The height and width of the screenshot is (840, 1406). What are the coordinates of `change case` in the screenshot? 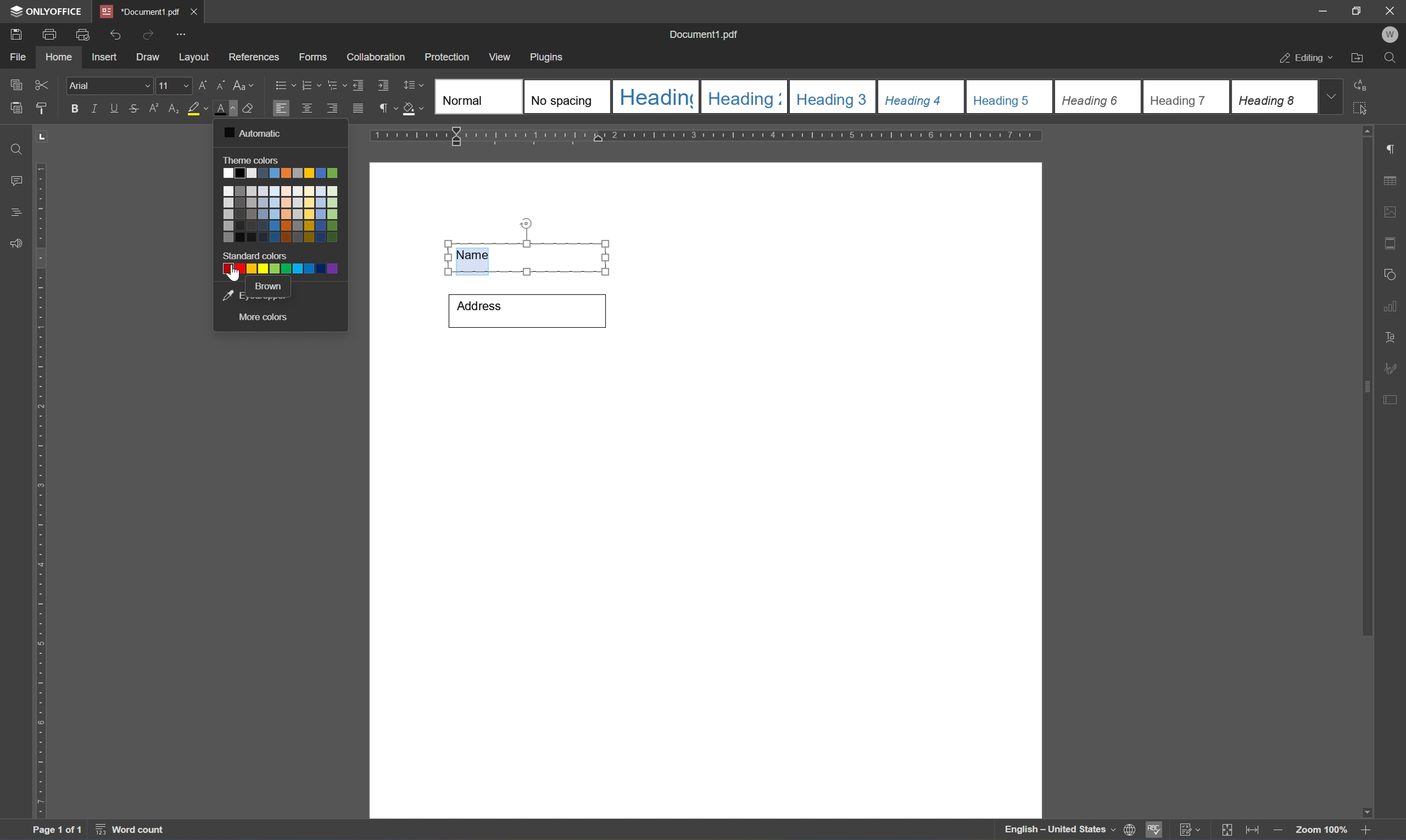 It's located at (245, 87).